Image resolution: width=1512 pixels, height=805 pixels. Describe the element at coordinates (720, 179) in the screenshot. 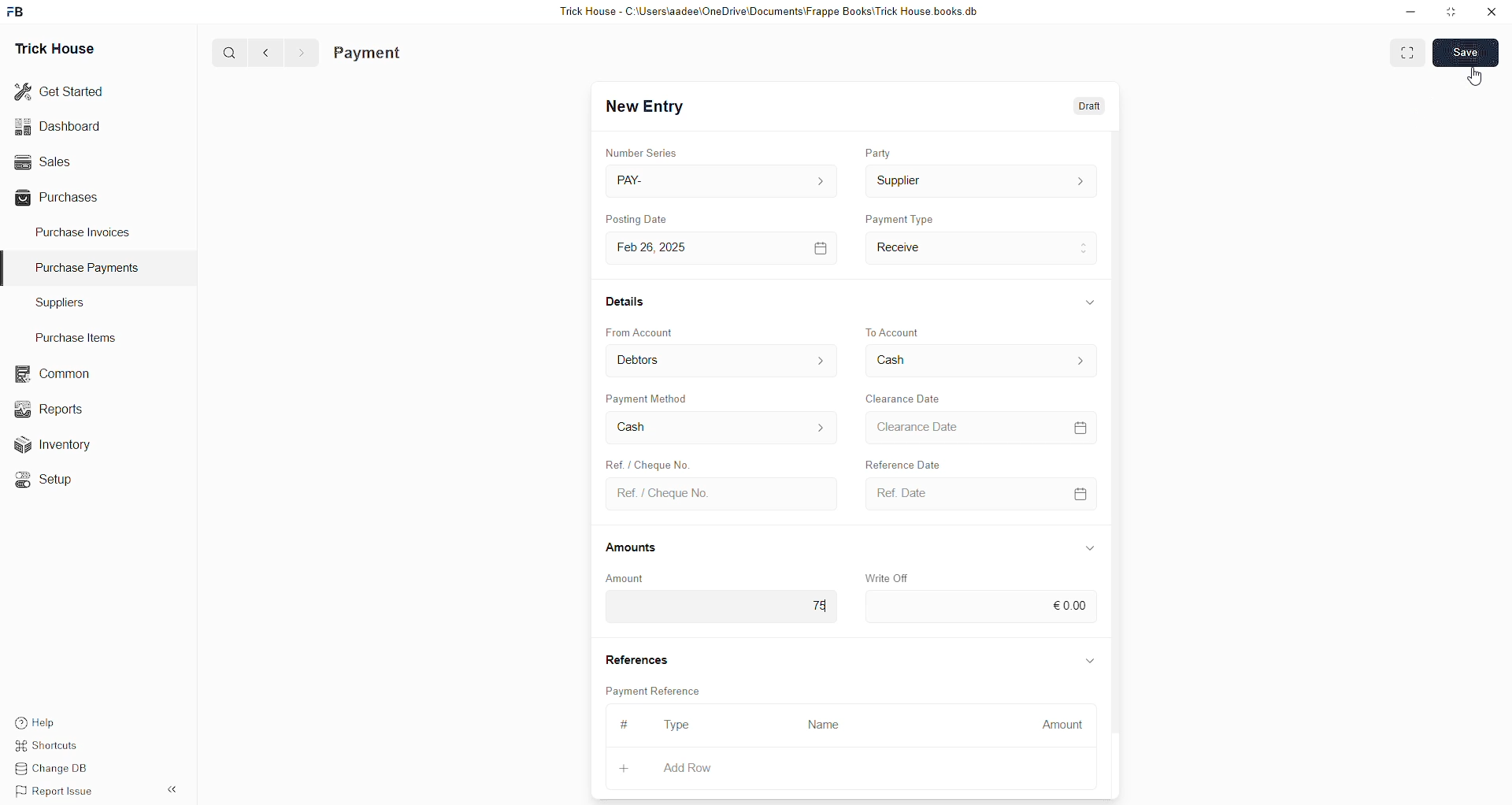

I see `PAY-` at that location.